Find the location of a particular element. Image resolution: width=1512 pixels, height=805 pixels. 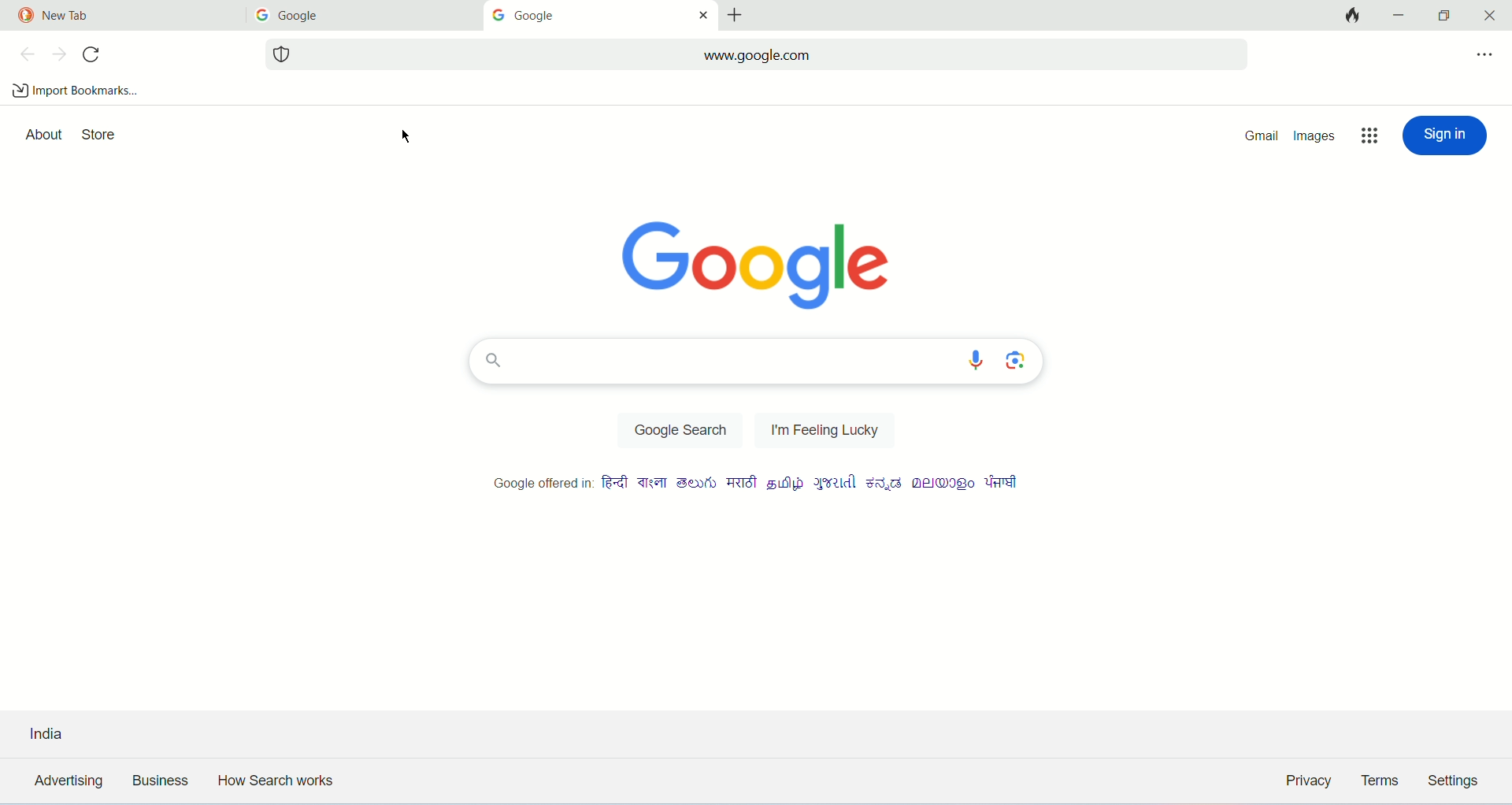

next is located at coordinates (57, 55).